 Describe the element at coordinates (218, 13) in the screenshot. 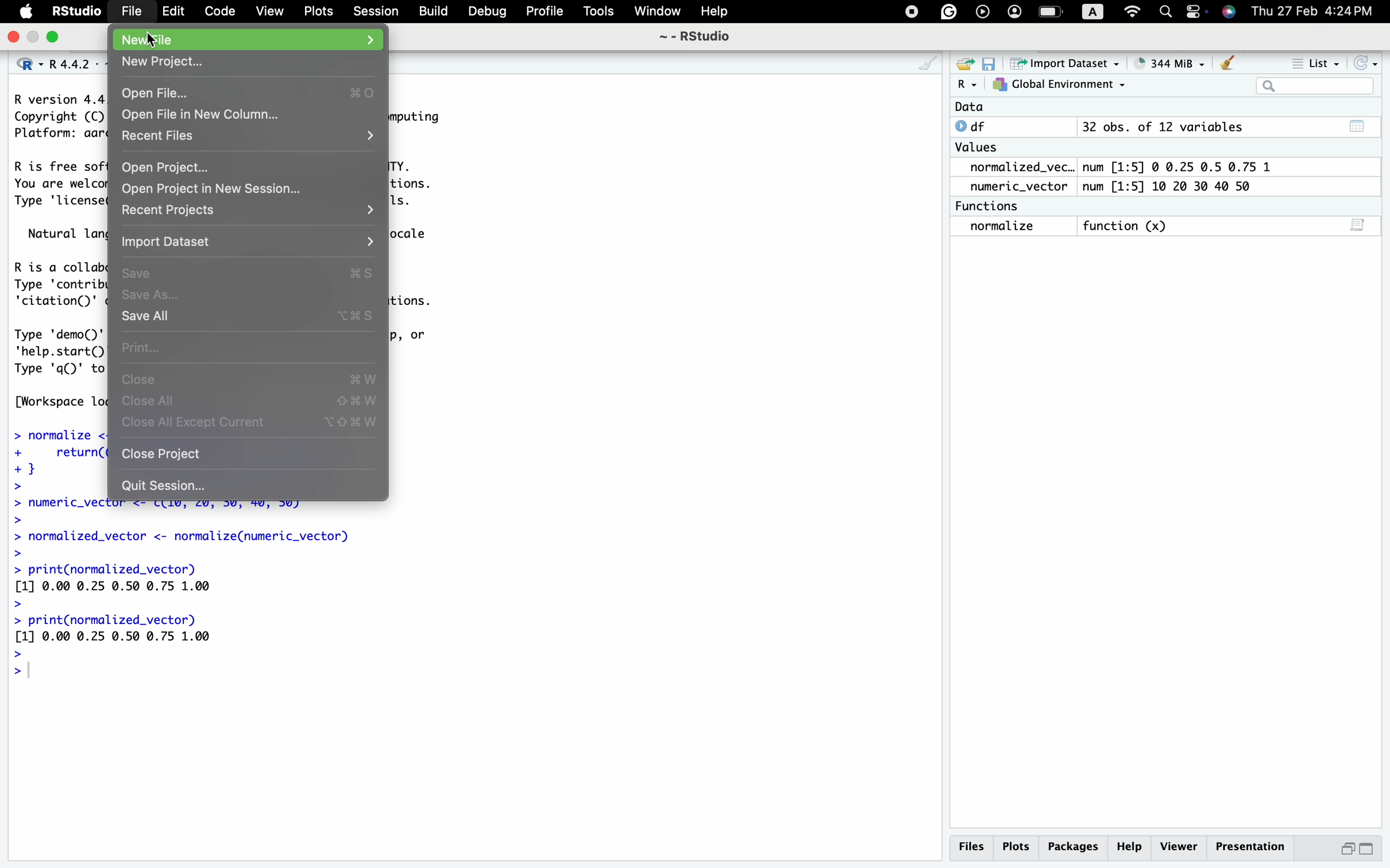

I see `Code` at that location.